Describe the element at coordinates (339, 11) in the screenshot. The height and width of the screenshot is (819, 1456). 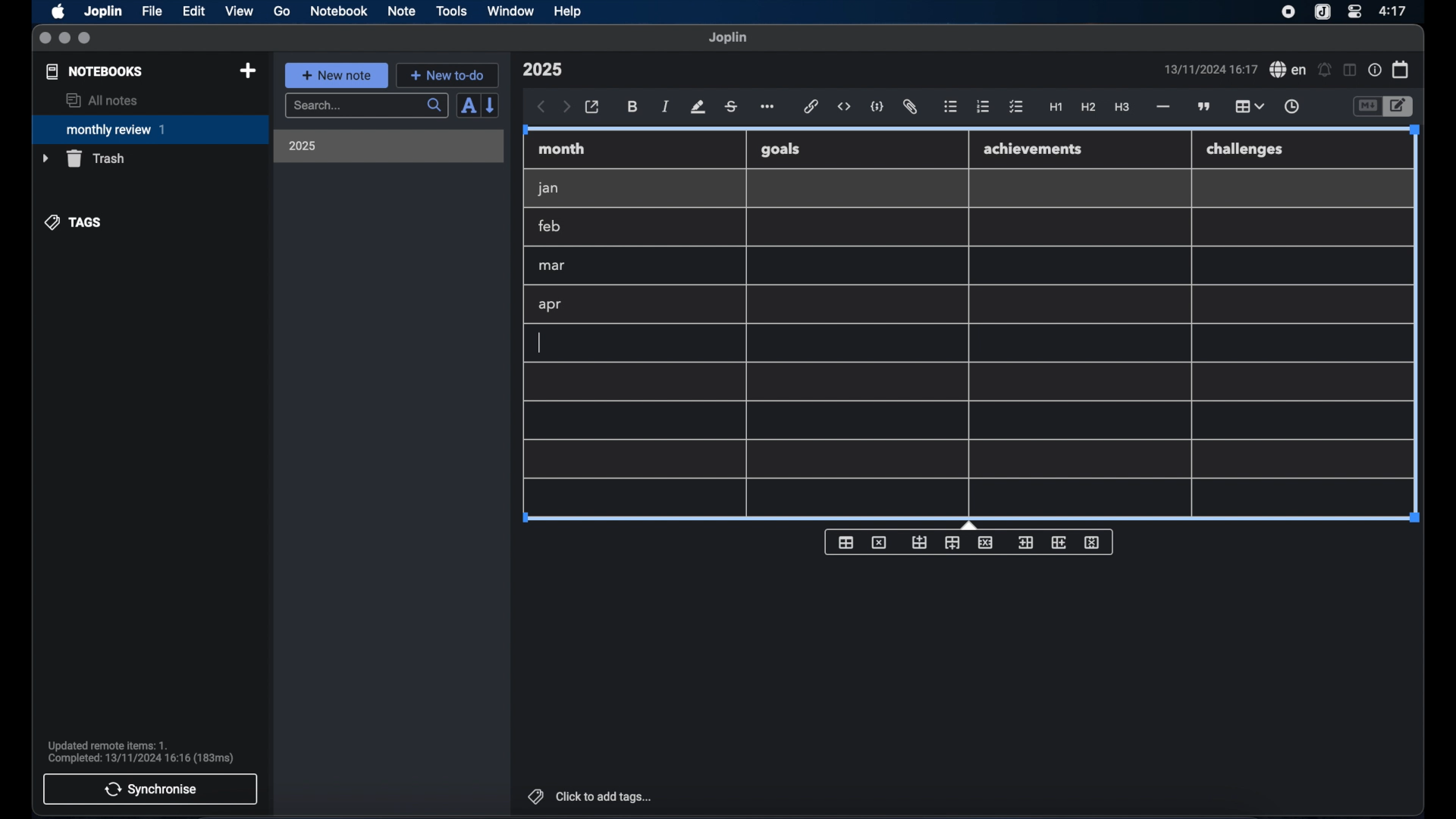
I see `notebook` at that location.